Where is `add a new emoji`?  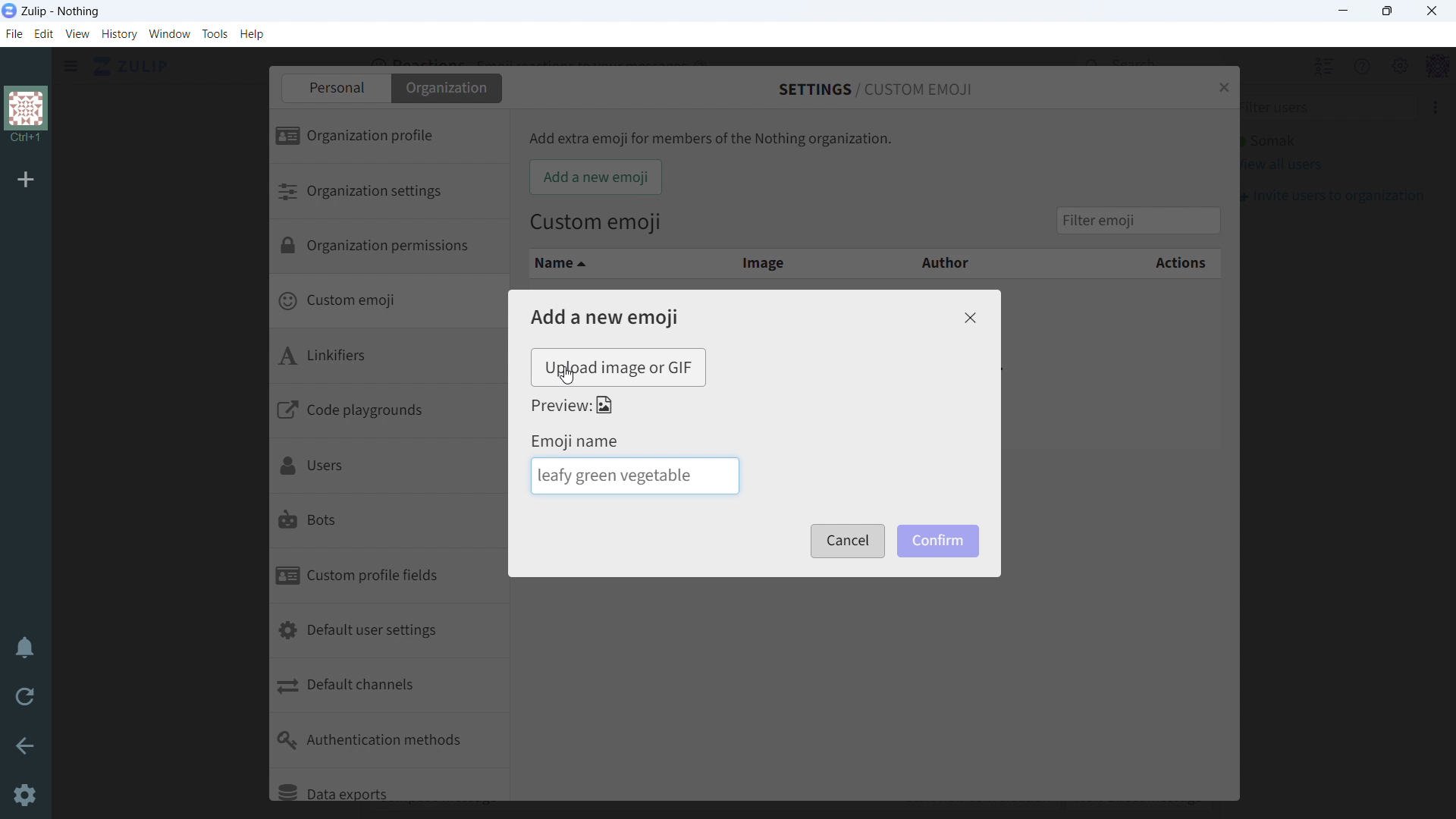
add a new emoji is located at coordinates (595, 177).